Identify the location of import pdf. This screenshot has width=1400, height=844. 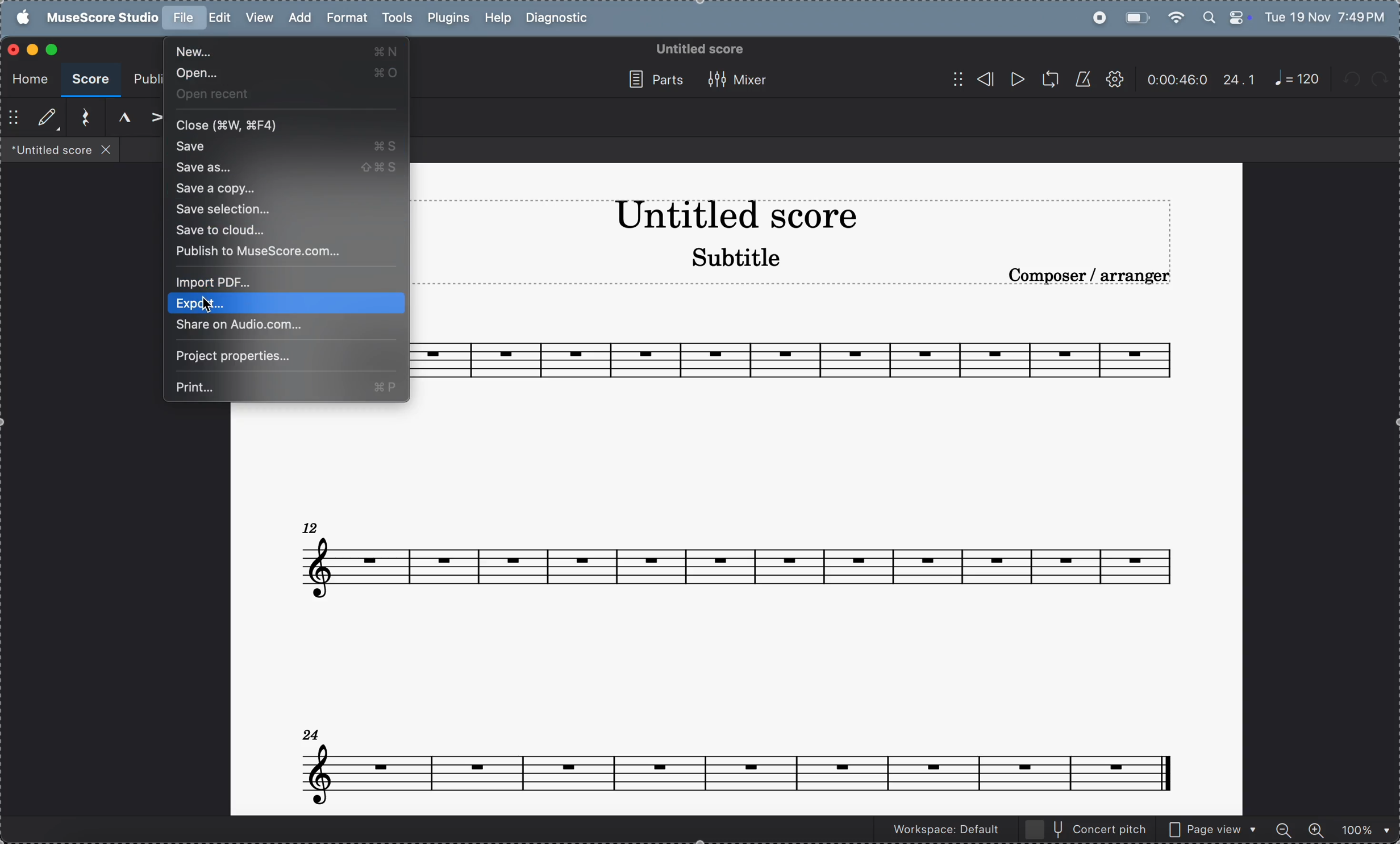
(291, 282).